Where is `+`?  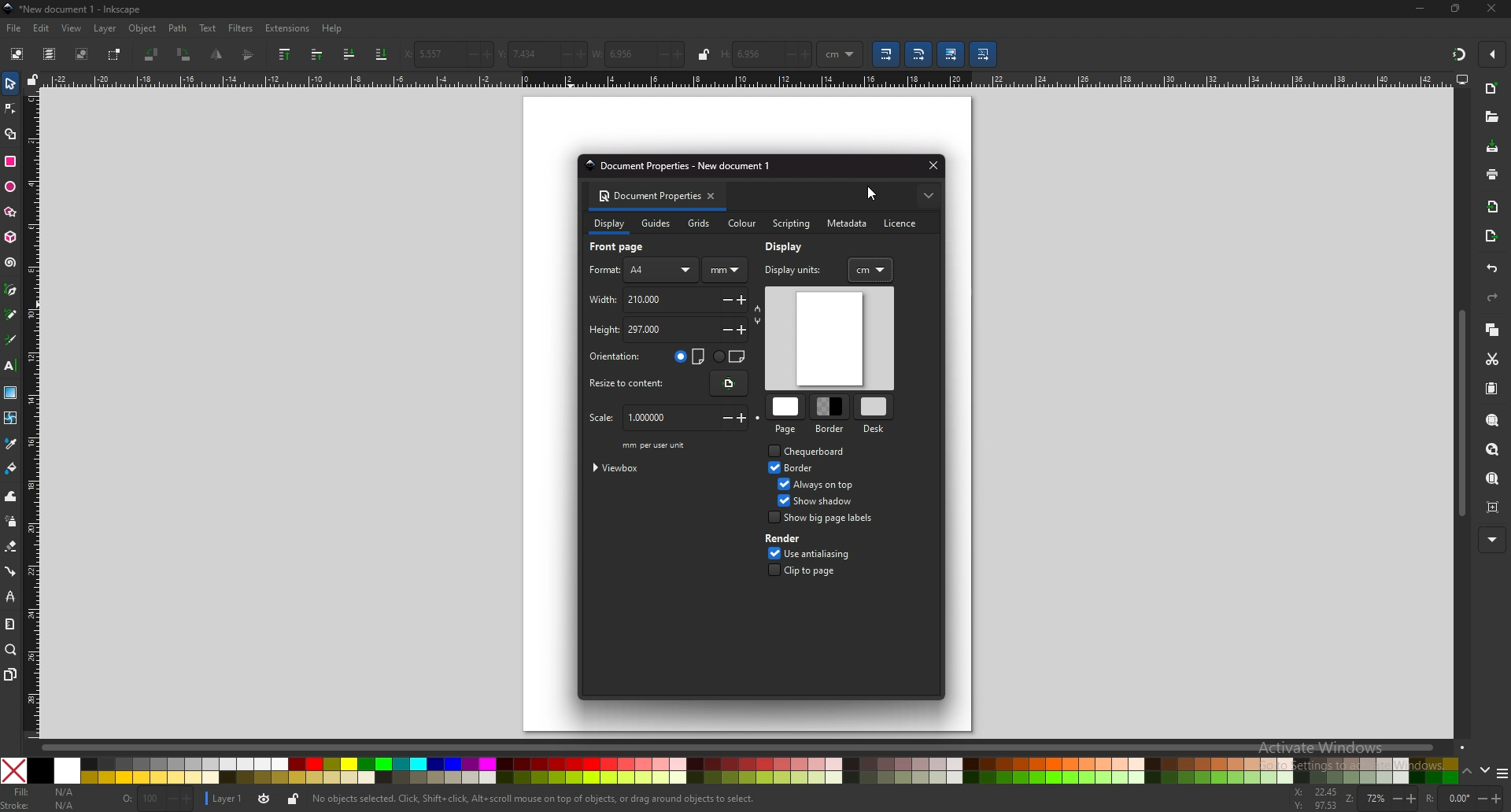
+ is located at coordinates (744, 330).